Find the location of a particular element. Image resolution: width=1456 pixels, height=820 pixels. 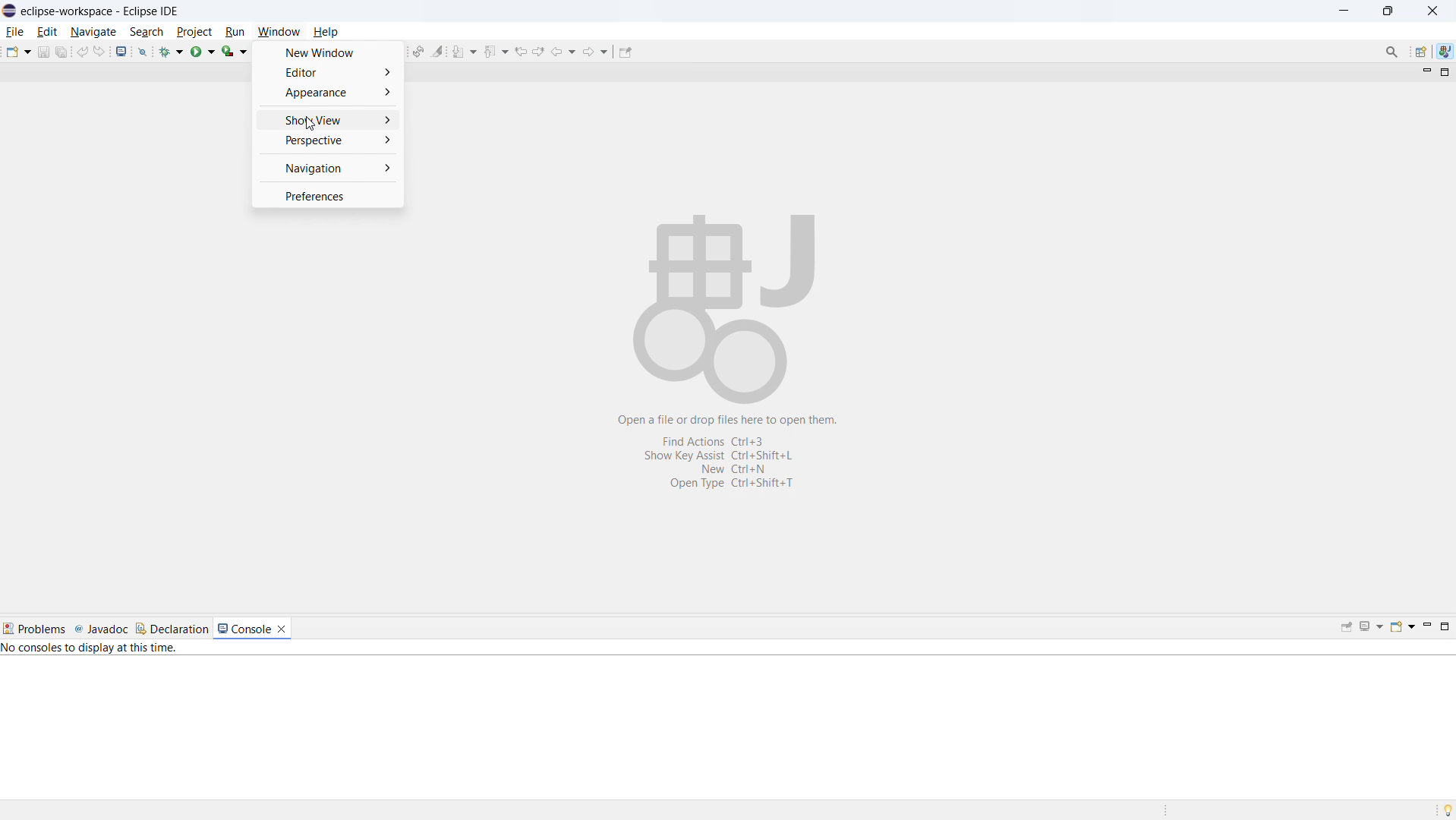

Search is located at coordinates (1391, 52).